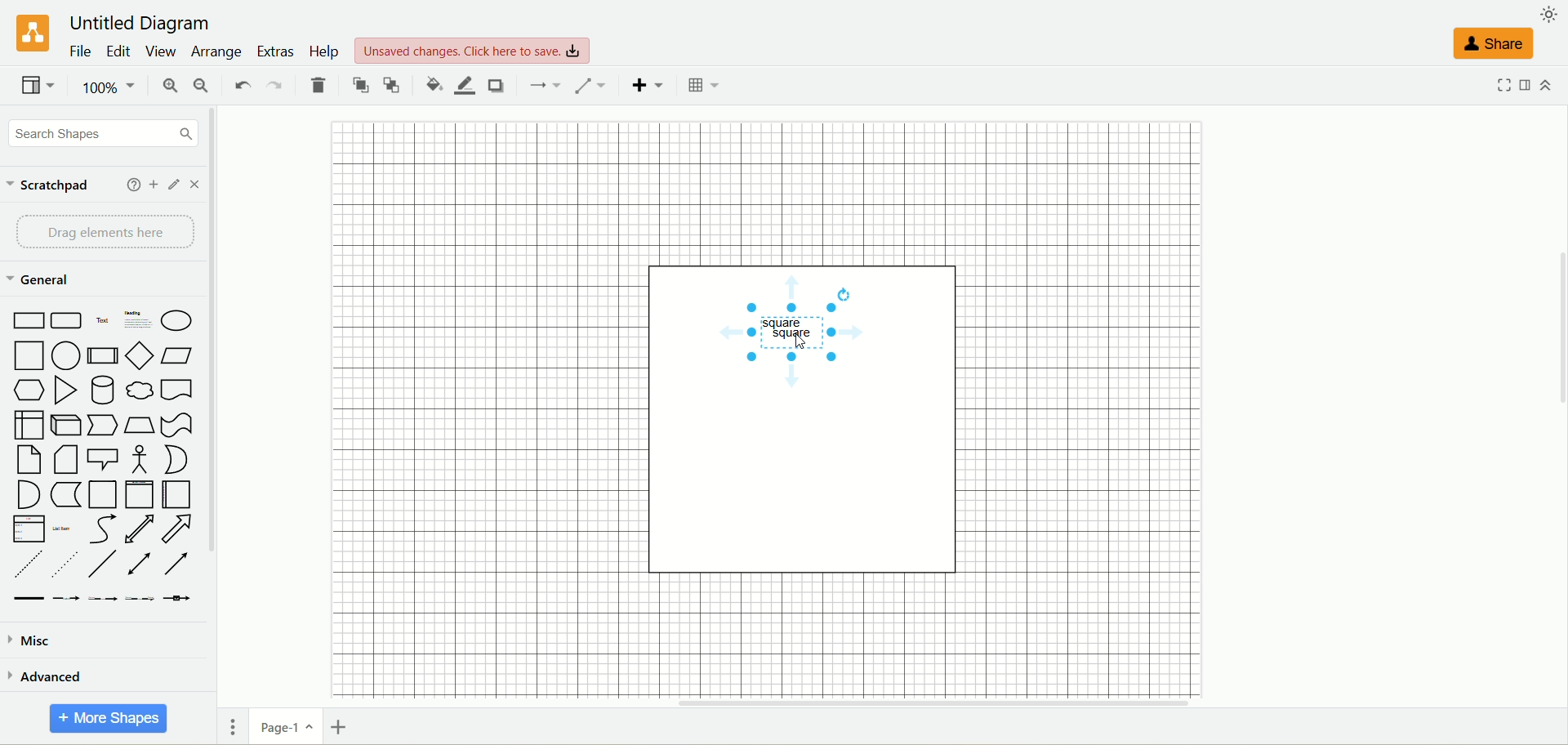  I want to click on title, so click(138, 19).